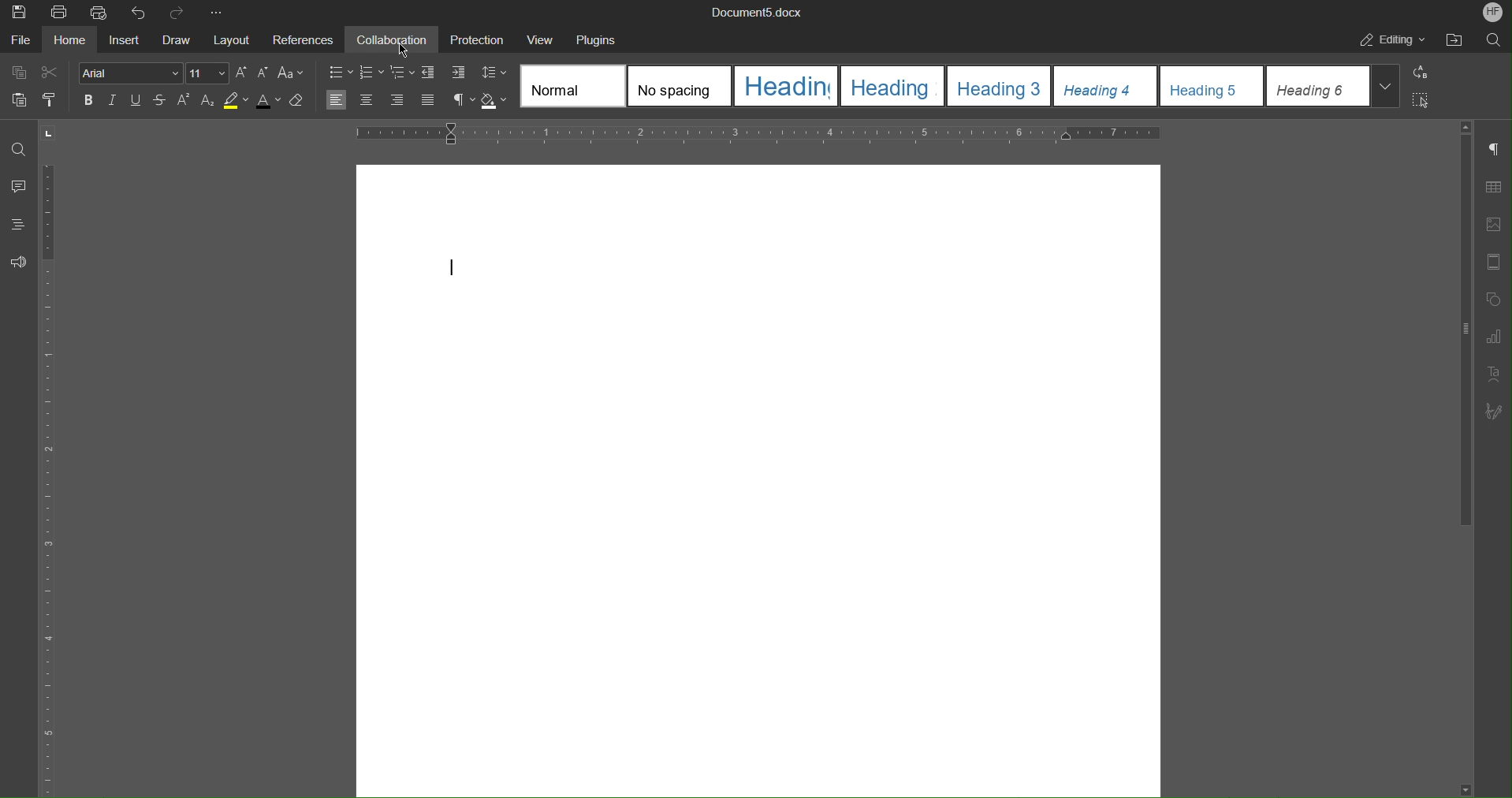  What do you see at coordinates (755, 13) in the screenshot?
I see `Document Title` at bounding box center [755, 13].